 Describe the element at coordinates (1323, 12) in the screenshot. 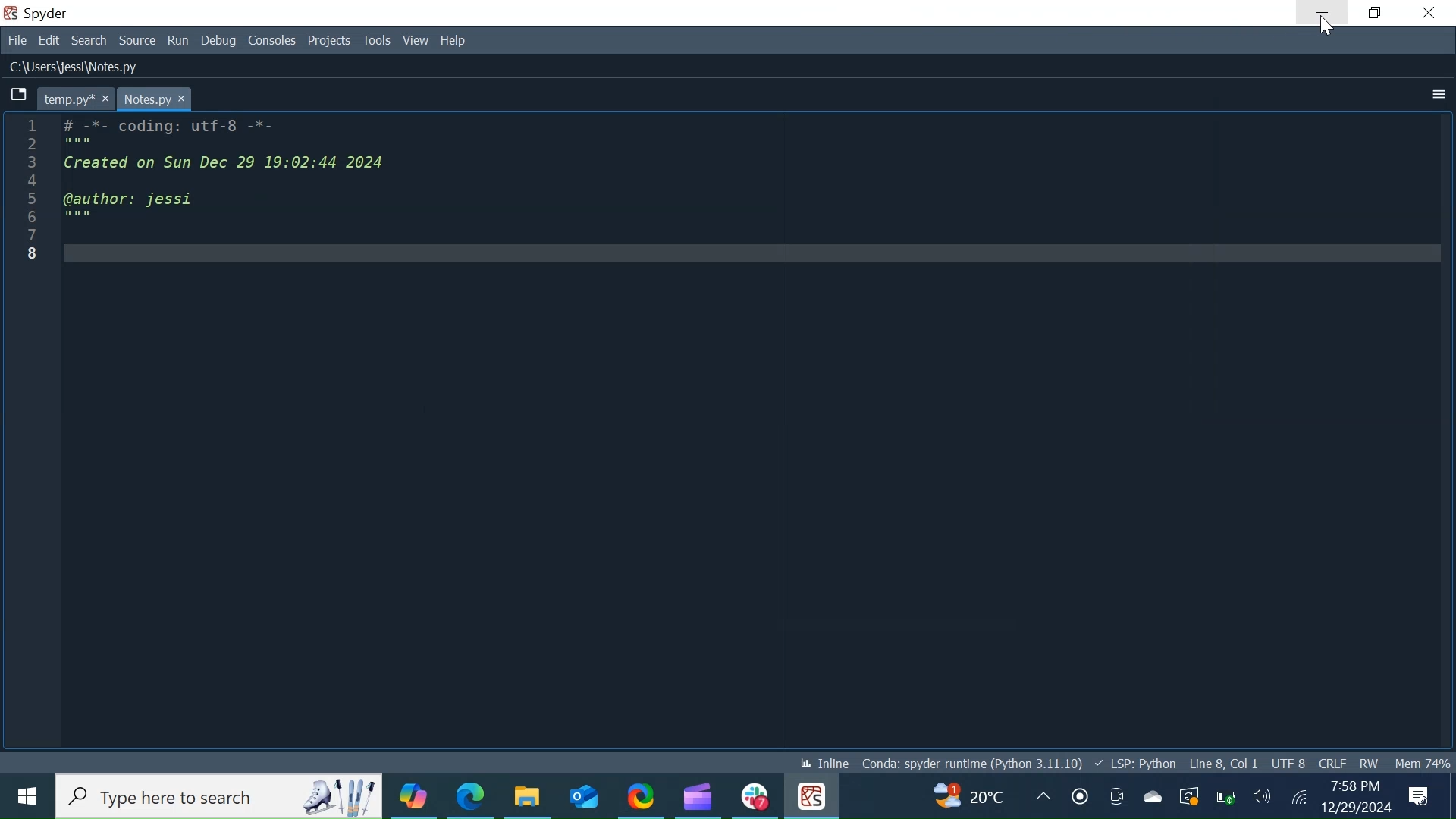

I see `Minimize` at that location.